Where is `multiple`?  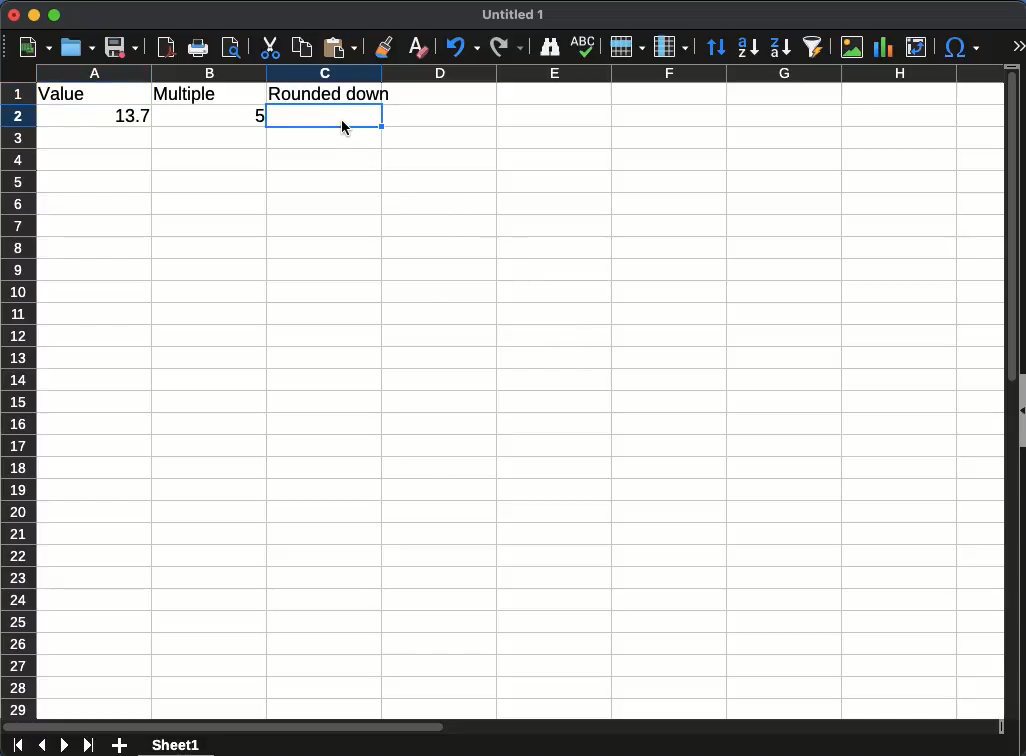 multiple is located at coordinates (188, 94).